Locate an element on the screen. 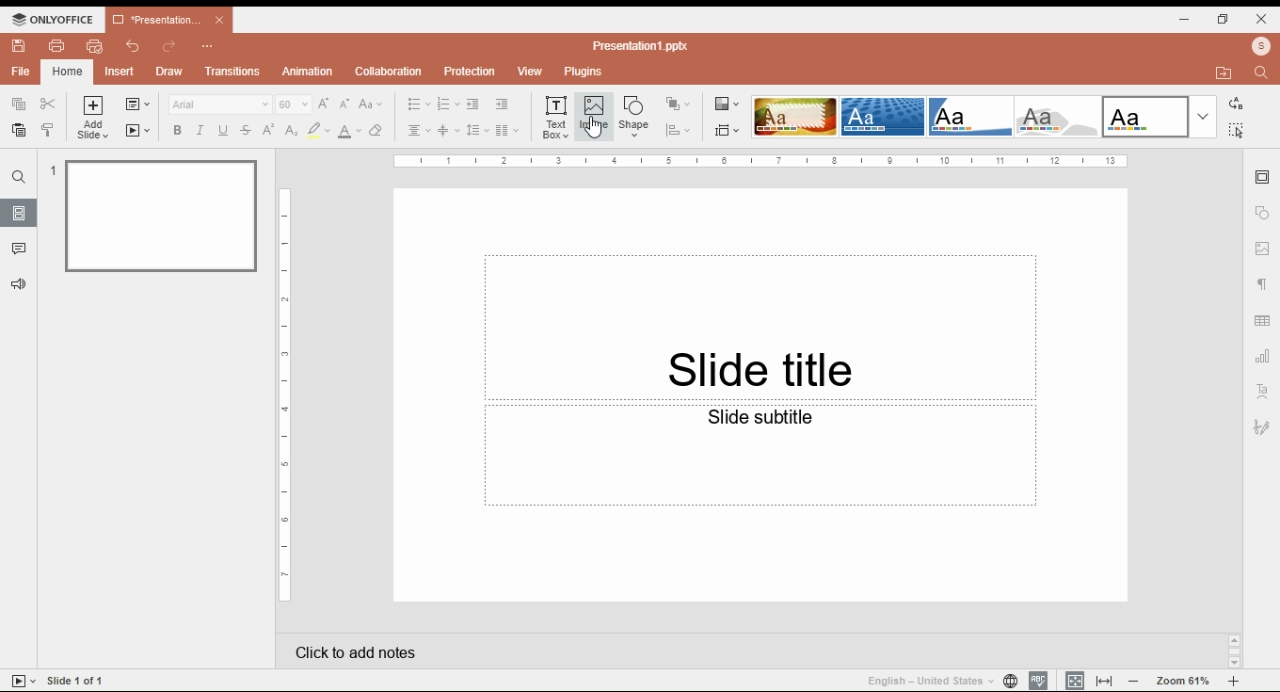 This screenshot has height=692, width=1280. transitions is located at coordinates (233, 72).